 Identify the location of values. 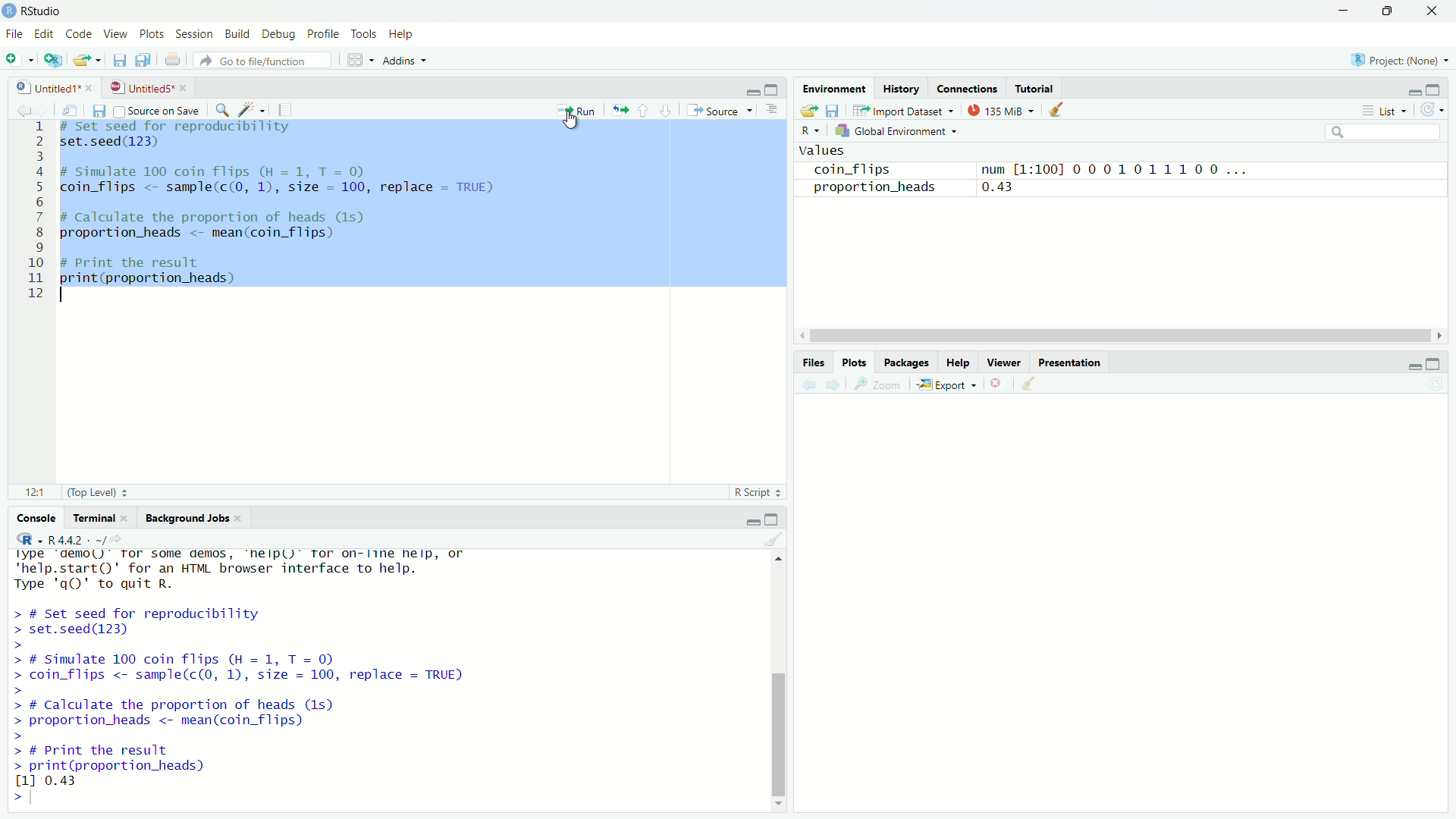
(827, 149).